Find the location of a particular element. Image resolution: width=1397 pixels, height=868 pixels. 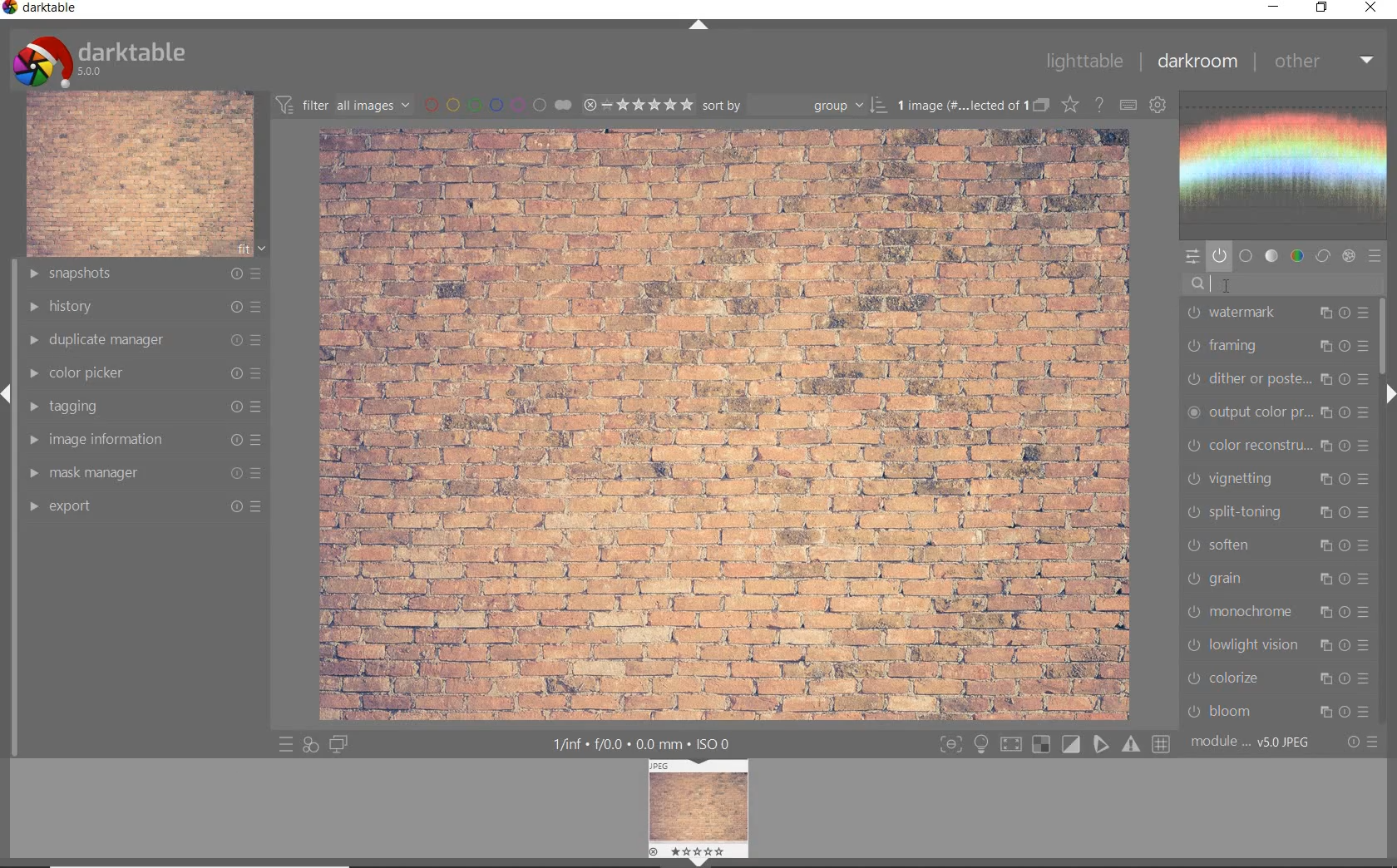

duplicate manager is located at coordinates (146, 342).